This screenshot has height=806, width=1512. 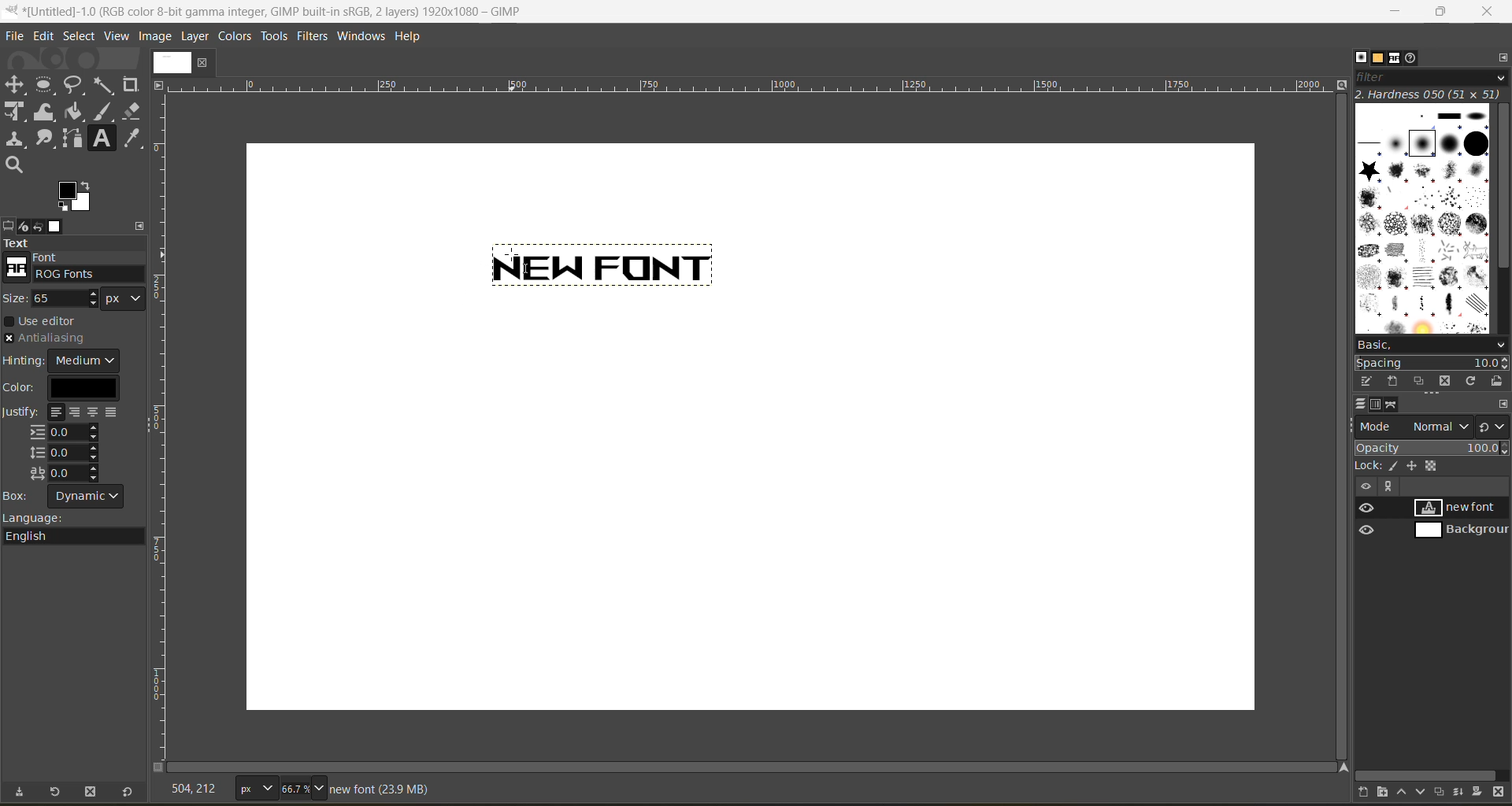 I want to click on tools, so click(x=274, y=36).